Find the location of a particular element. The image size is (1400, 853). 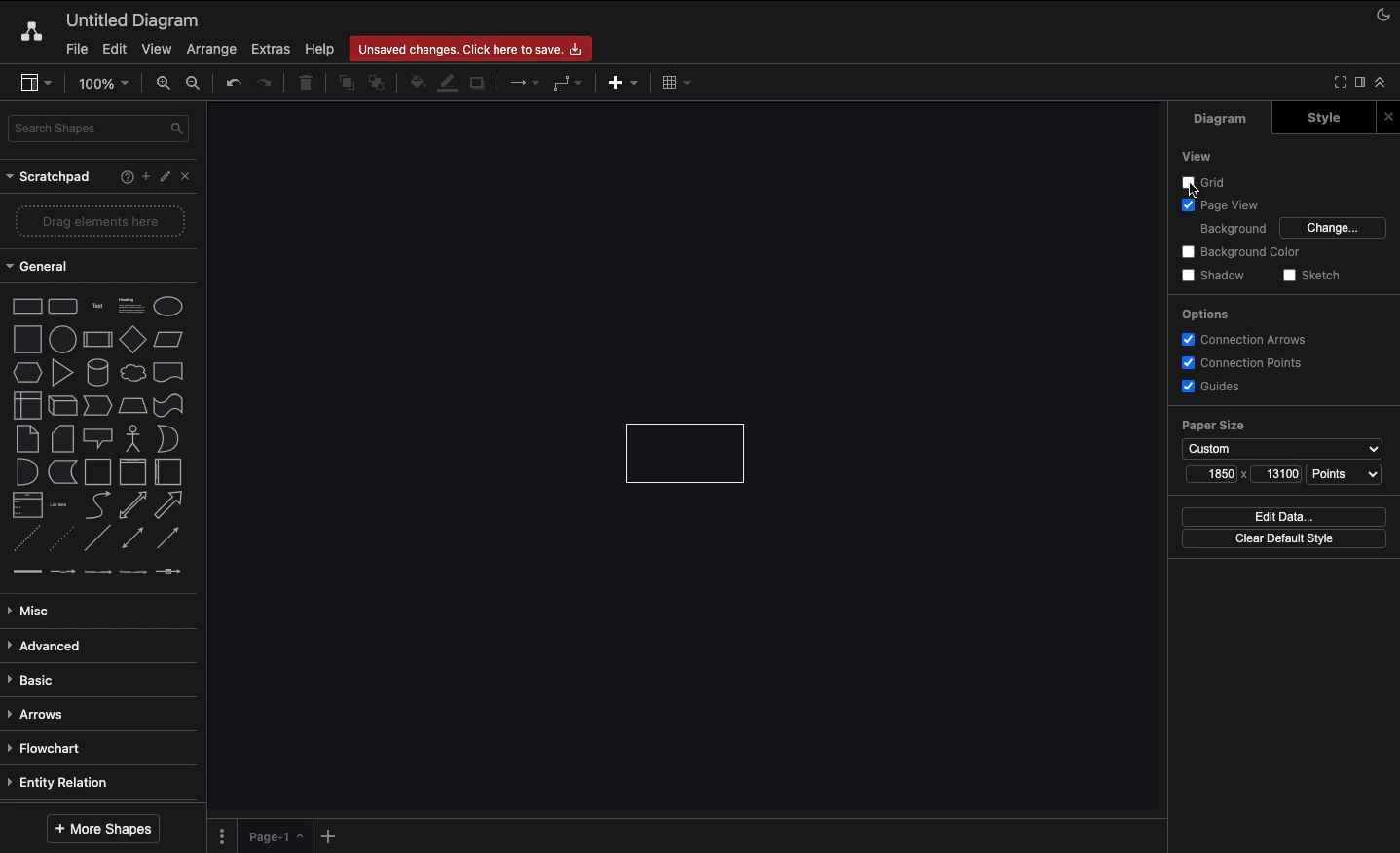

Waypoints is located at coordinates (570, 85).